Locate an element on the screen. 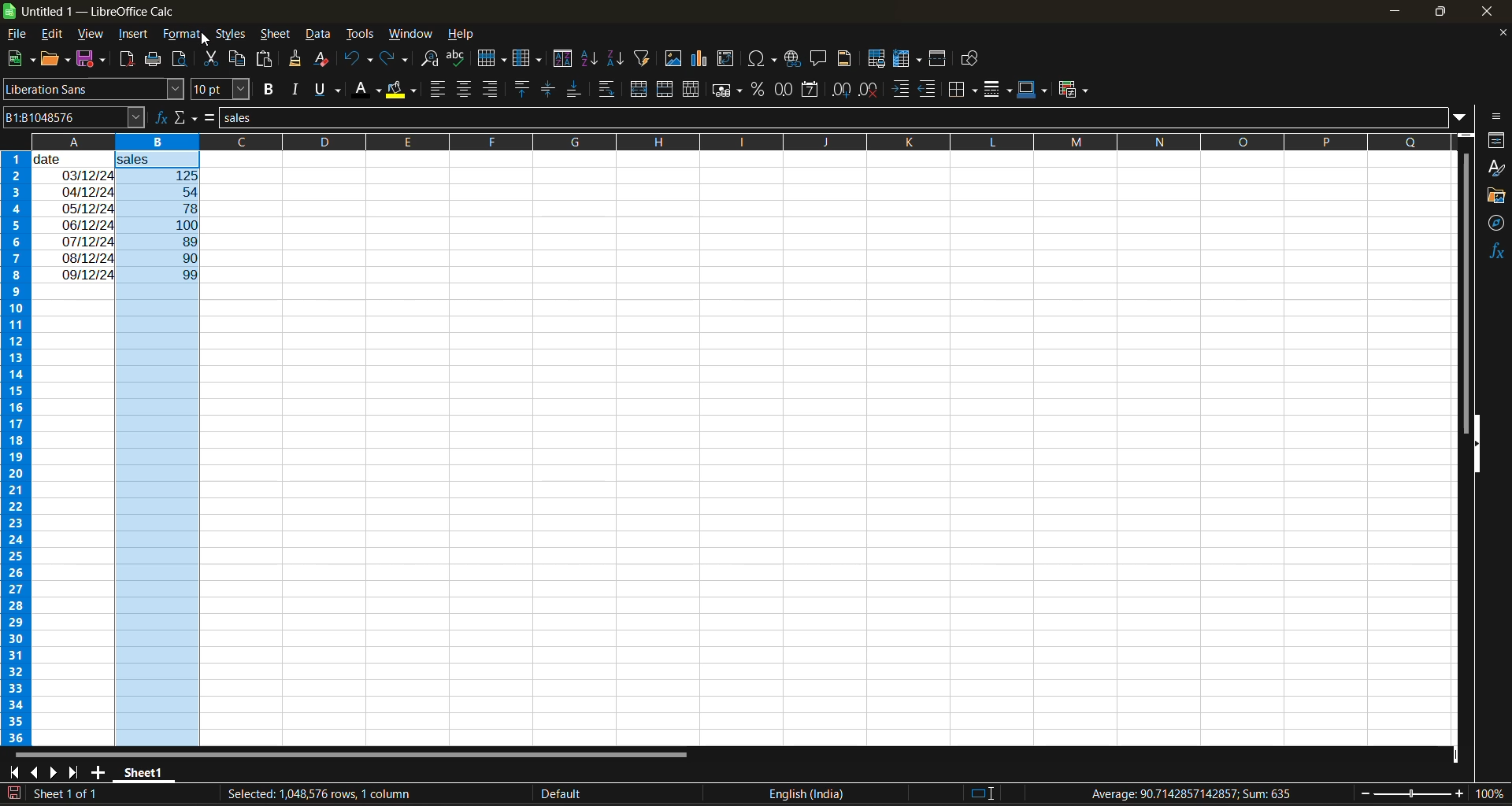 This screenshot has height=806, width=1512. close document is located at coordinates (1499, 33).